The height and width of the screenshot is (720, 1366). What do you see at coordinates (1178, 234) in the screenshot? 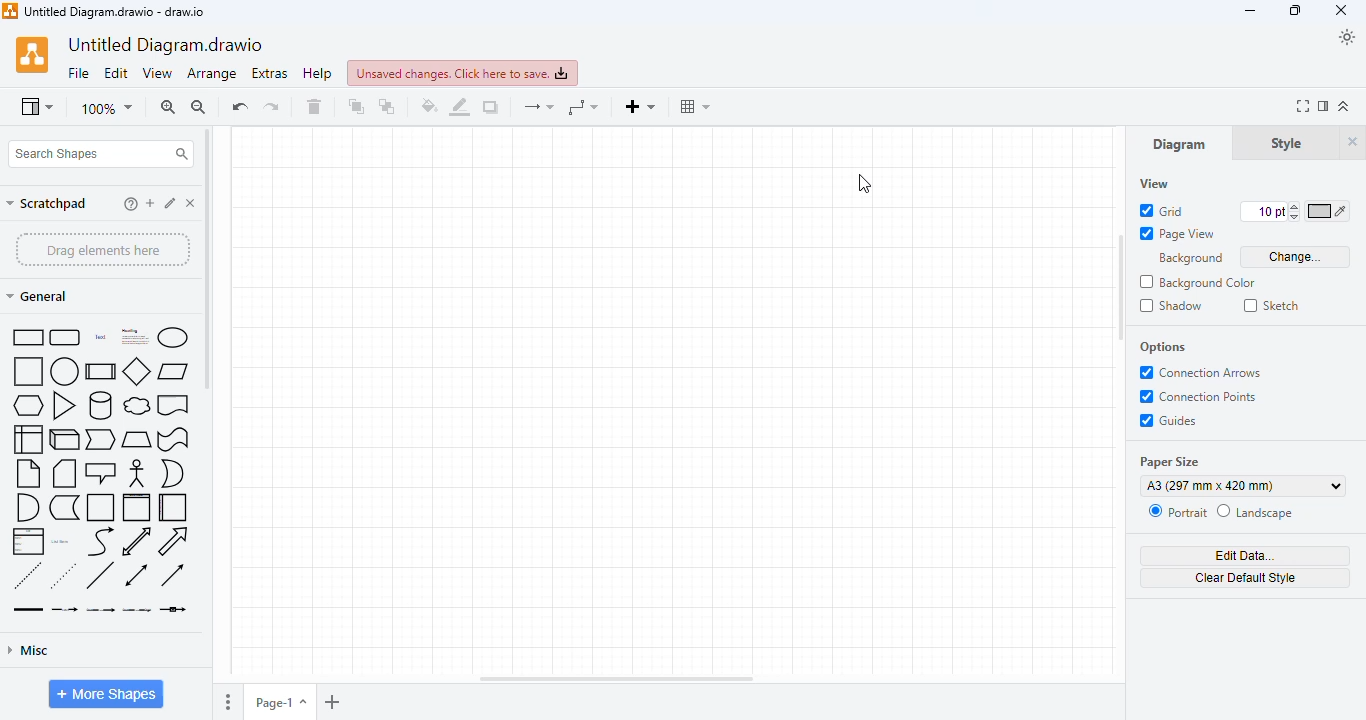
I see `page view` at bounding box center [1178, 234].